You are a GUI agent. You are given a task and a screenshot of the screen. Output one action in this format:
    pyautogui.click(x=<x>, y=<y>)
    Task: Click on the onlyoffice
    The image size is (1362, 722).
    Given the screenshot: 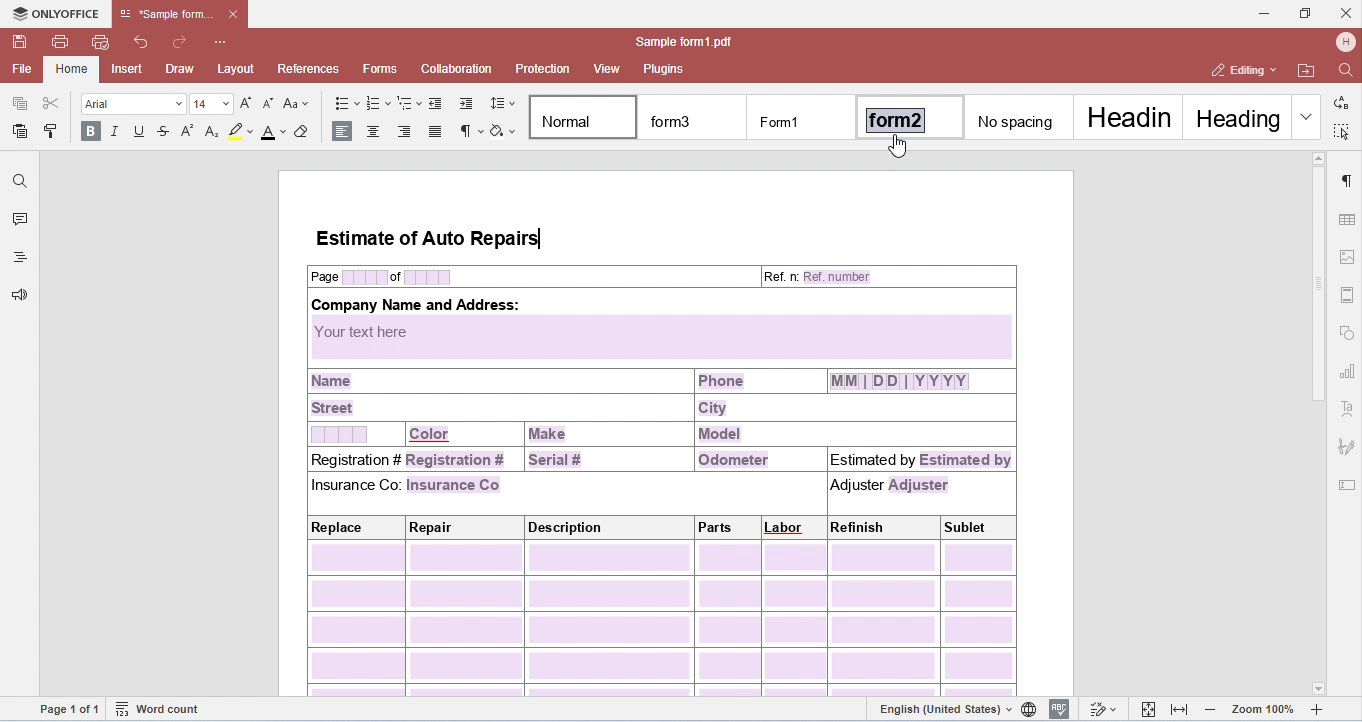 What is the action you would take?
    pyautogui.click(x=54, y=13)
    